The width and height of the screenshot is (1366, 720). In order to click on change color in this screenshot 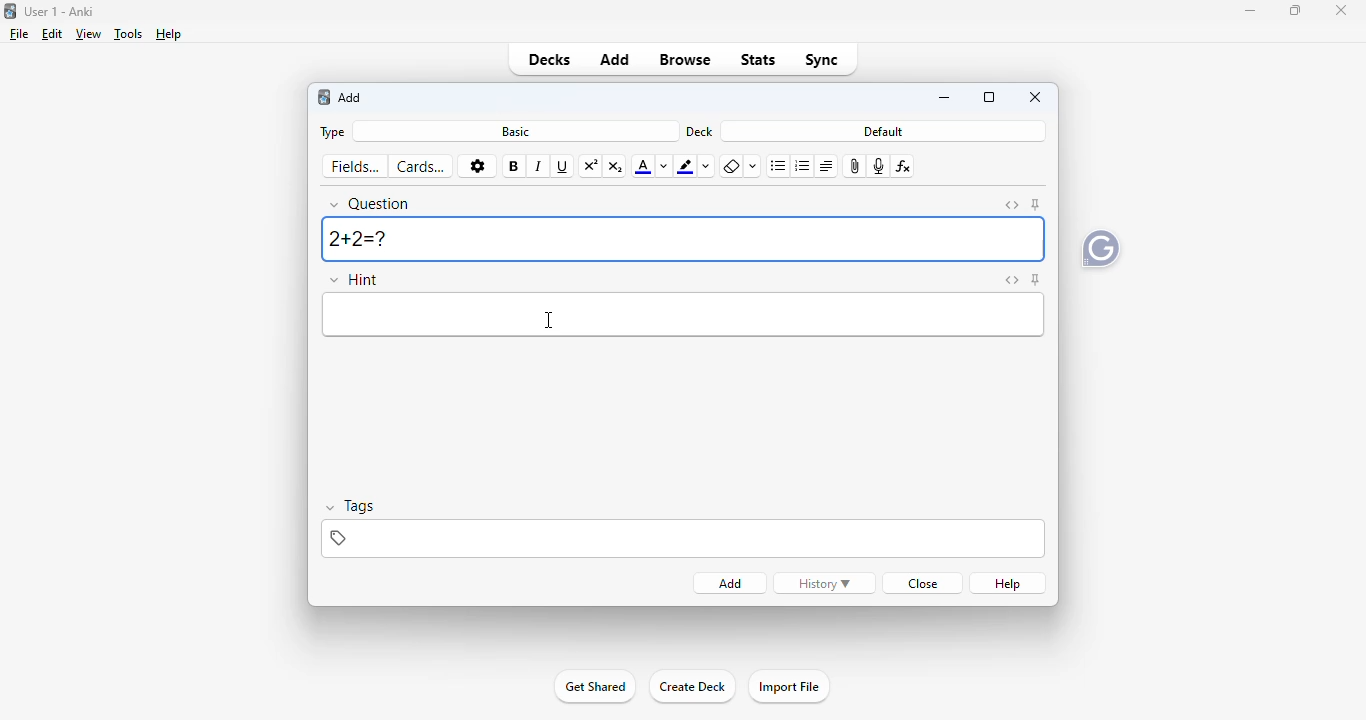, I will do `click(707, 167)`.